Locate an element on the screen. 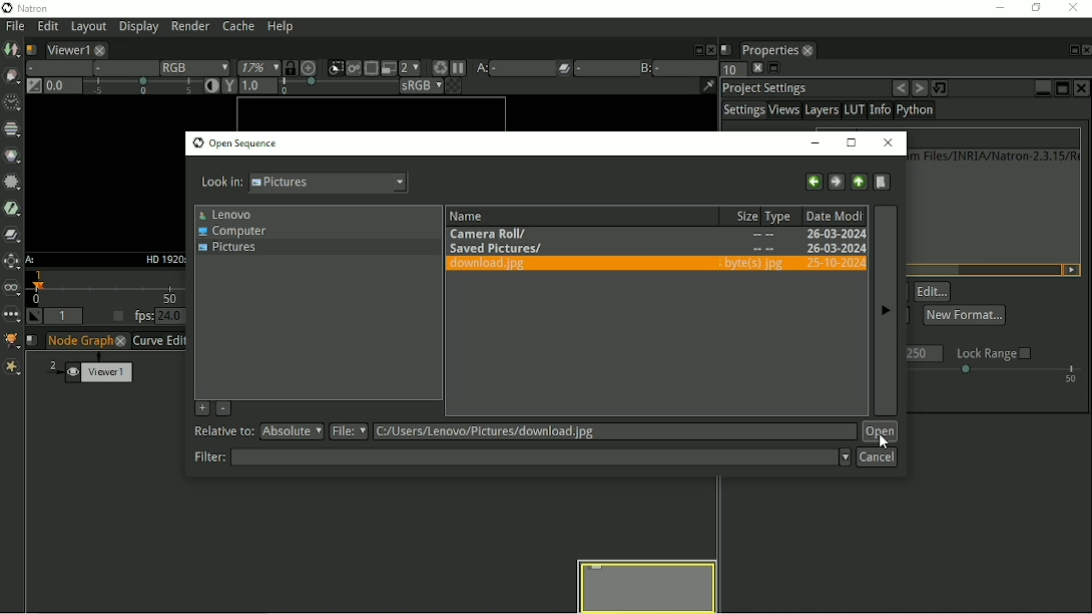 The width and height of the screenshot is (1092, 614). 26-03-2024 is located at coordinates (832, 263).